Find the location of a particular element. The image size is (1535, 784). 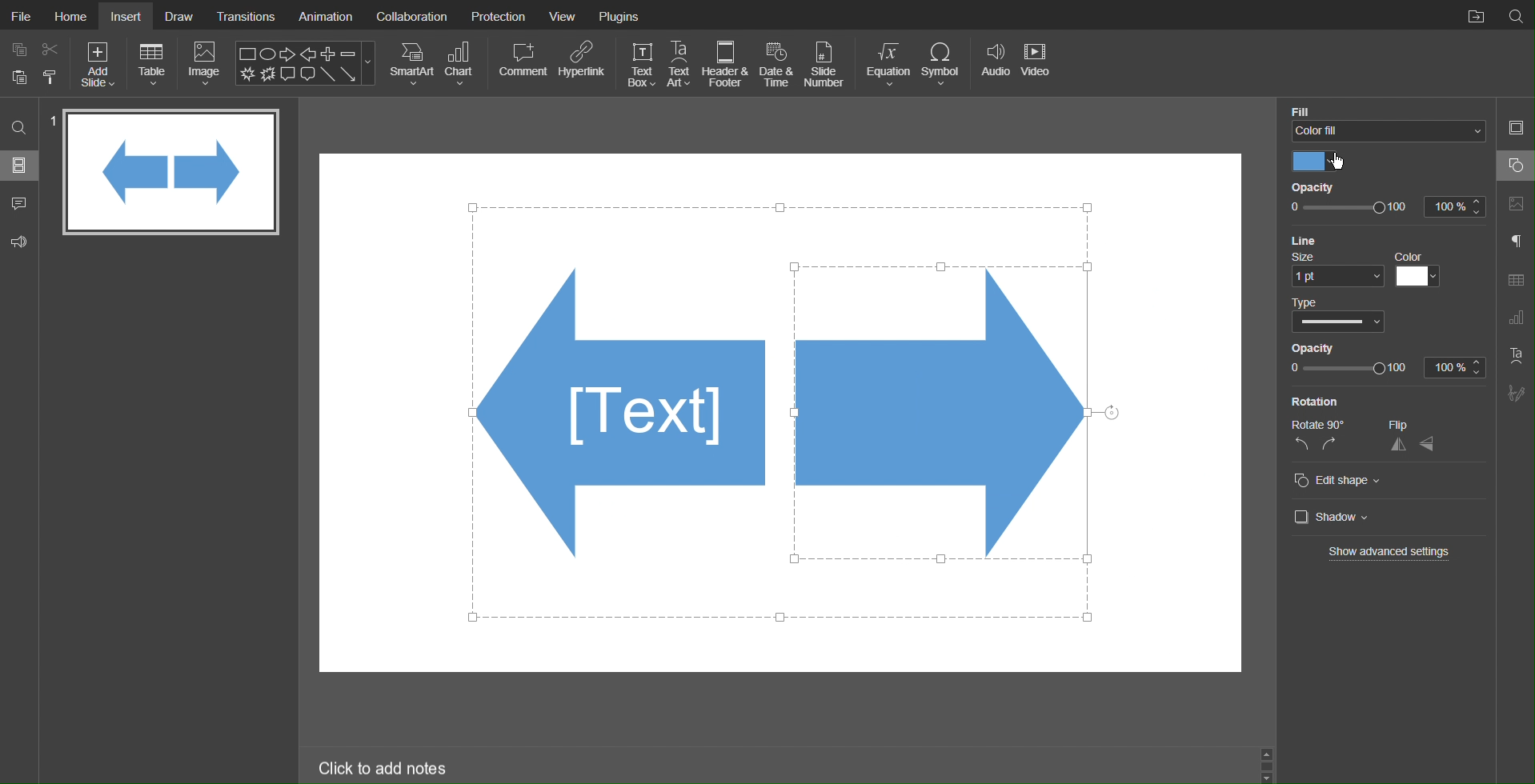

Chart Settings is located at coordinates (1517, 319).